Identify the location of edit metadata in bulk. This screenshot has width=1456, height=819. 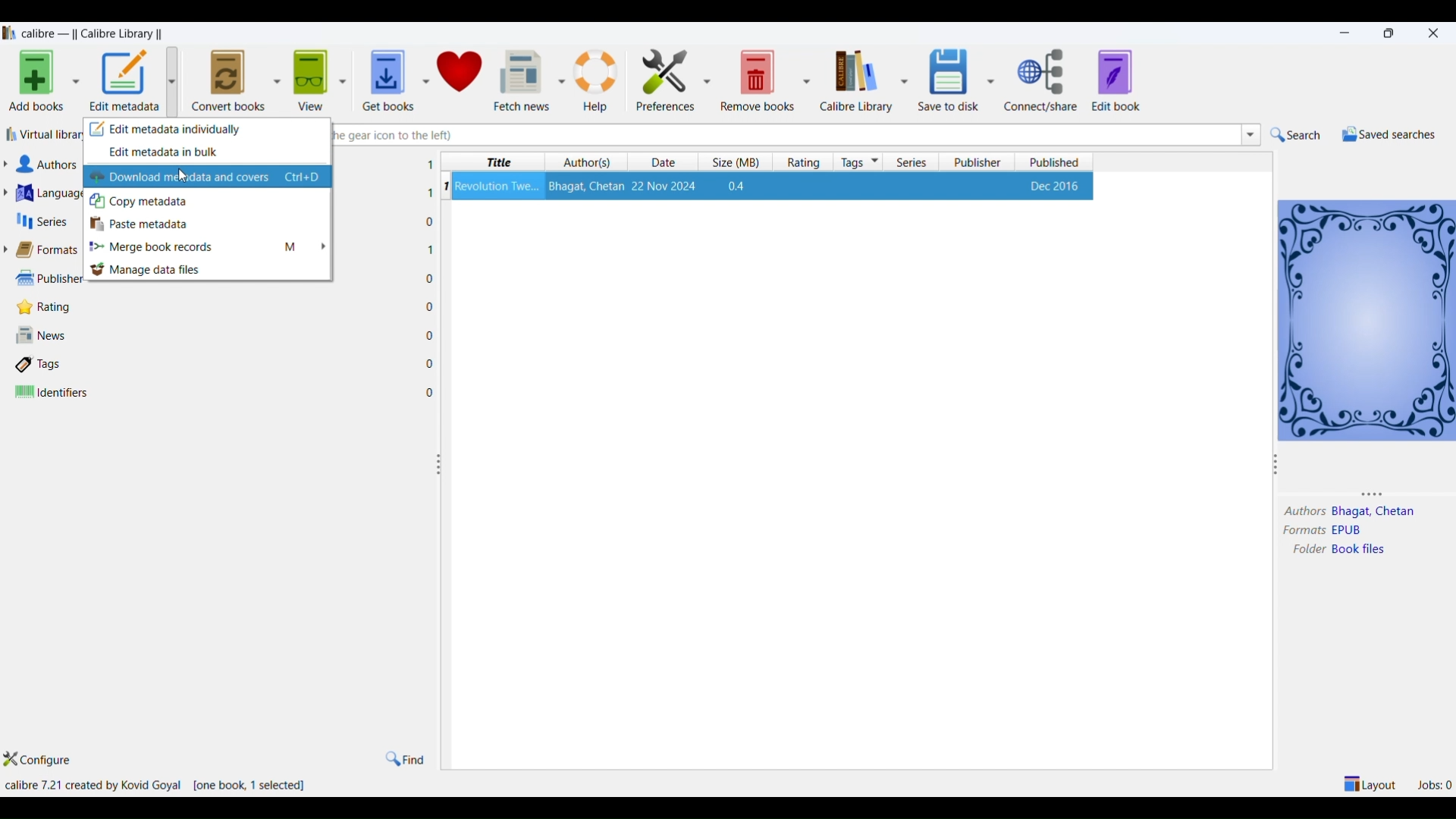
(208, 154).